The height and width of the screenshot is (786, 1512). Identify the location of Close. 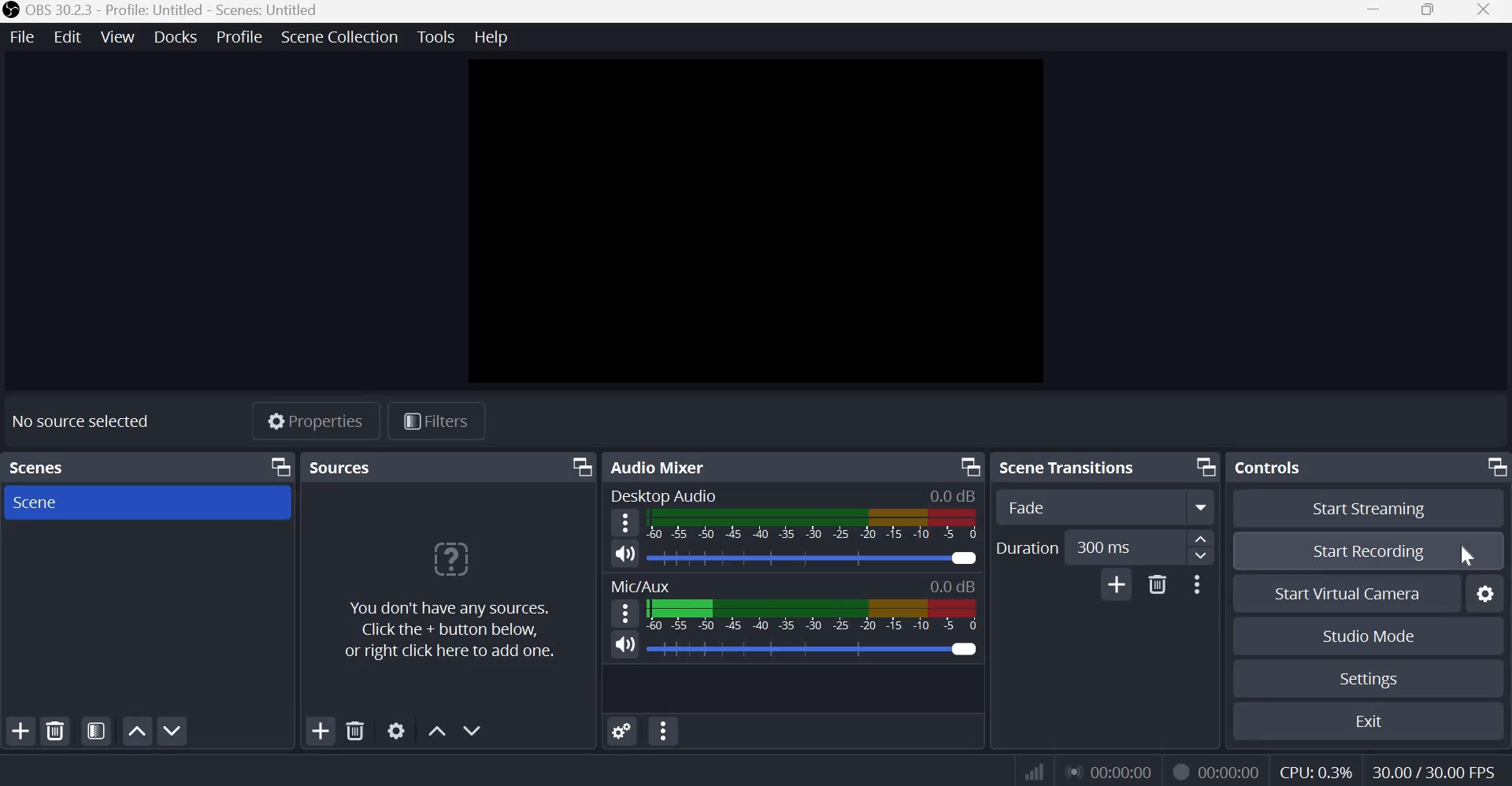
(1483, 11).